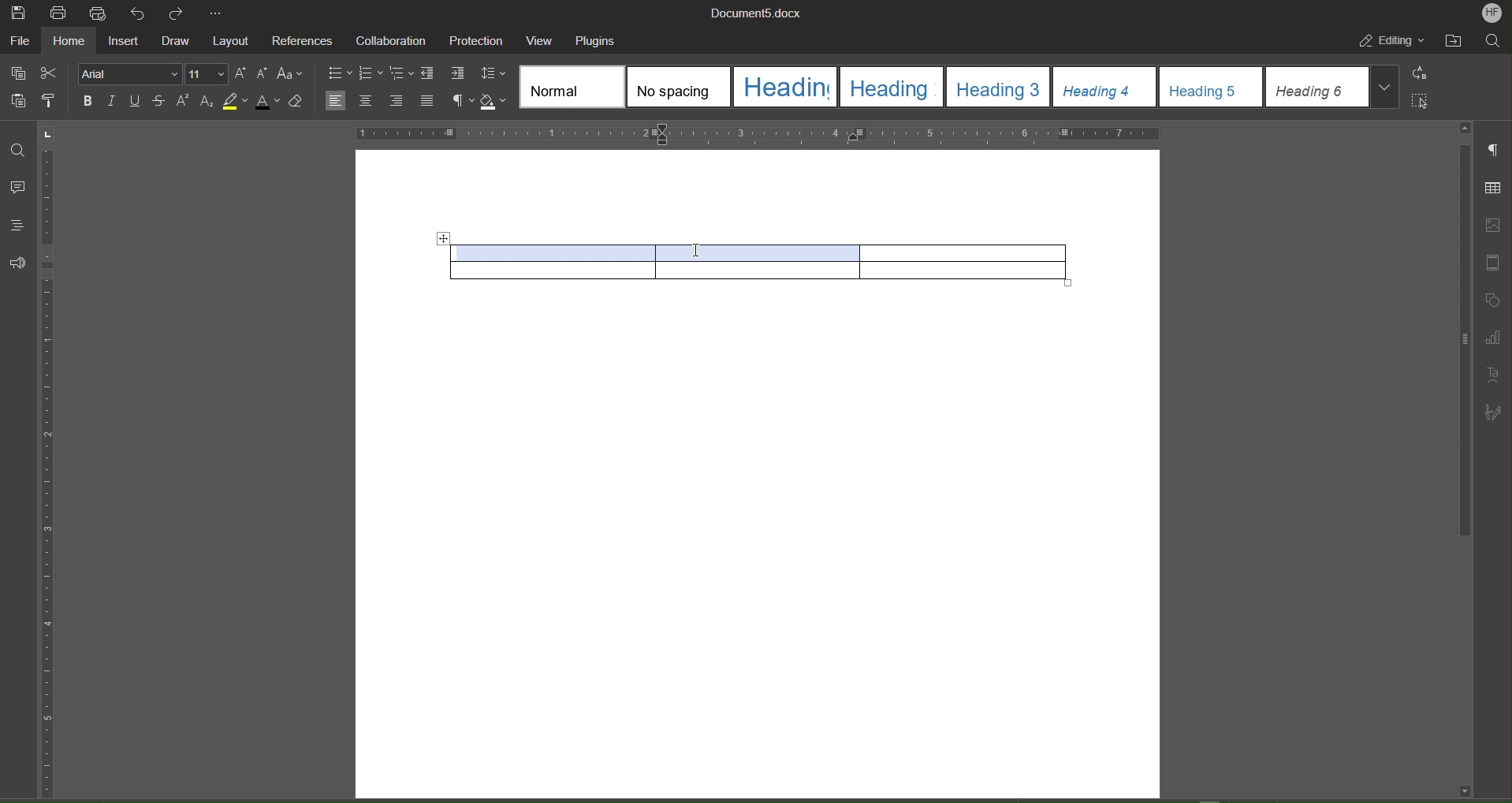  What do you see at coordinates (303, 43) in the screenshot?
I see `References` at bounding box center [303, 43].